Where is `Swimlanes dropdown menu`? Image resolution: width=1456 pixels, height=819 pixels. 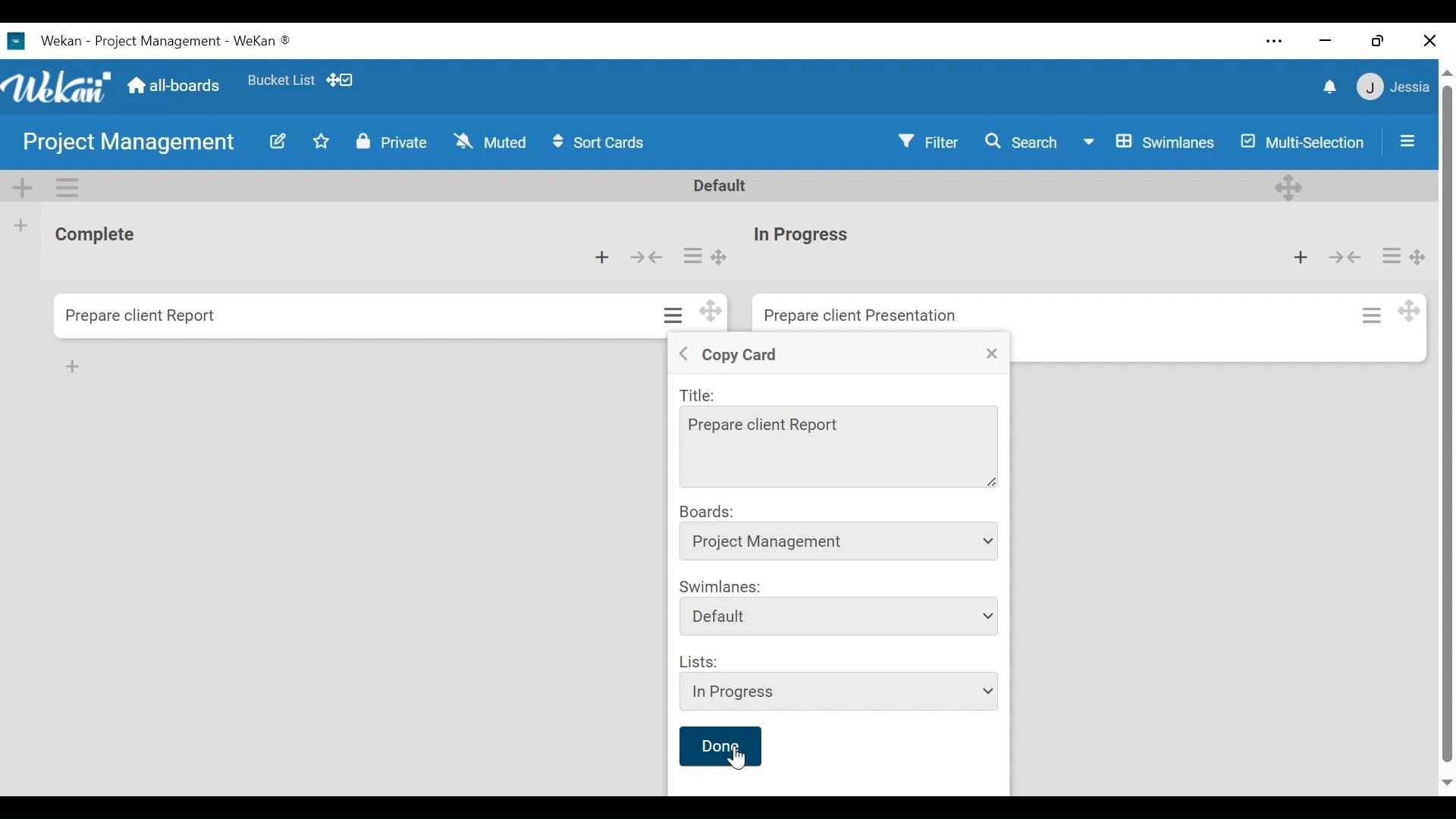
Swimlanes dropdown menu is located at coordinates (843, 617).